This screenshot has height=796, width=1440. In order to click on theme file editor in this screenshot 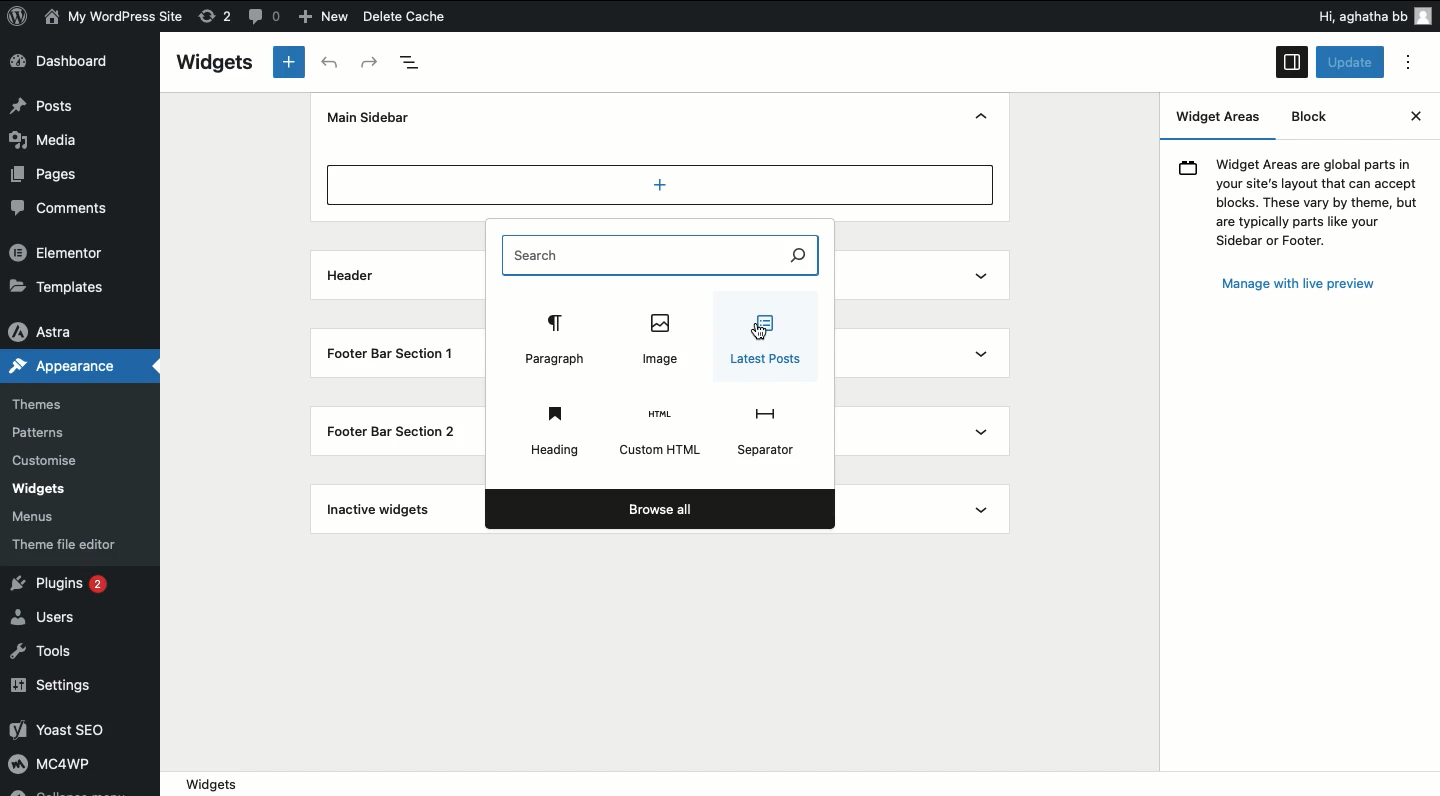, I will do `click(62, 543)`.